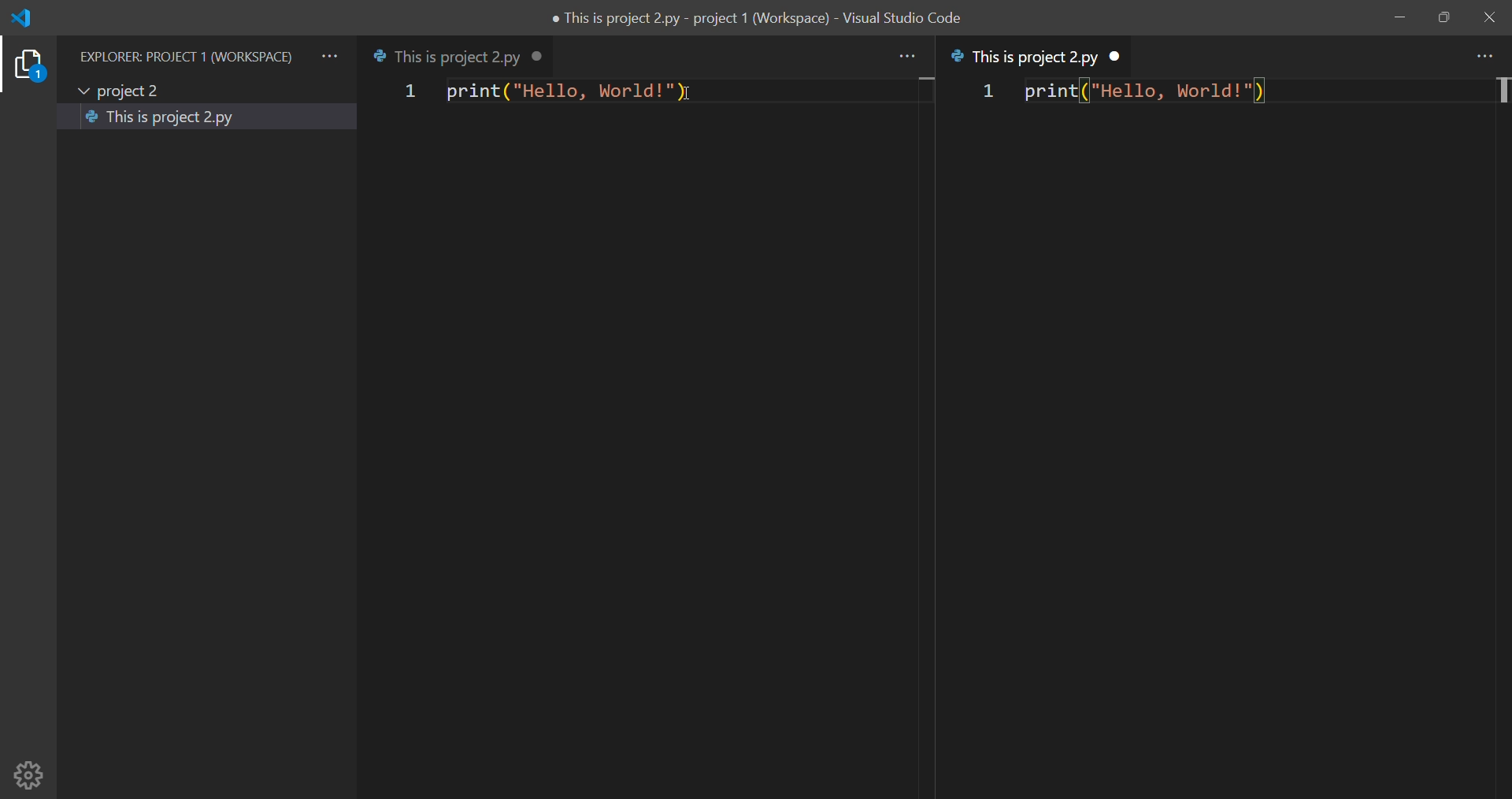 The width and height of the screenshot is (1512, 799). I want to click on EXPLORER: PROJECT 1 (WORKSPACE), so click(181, 55).